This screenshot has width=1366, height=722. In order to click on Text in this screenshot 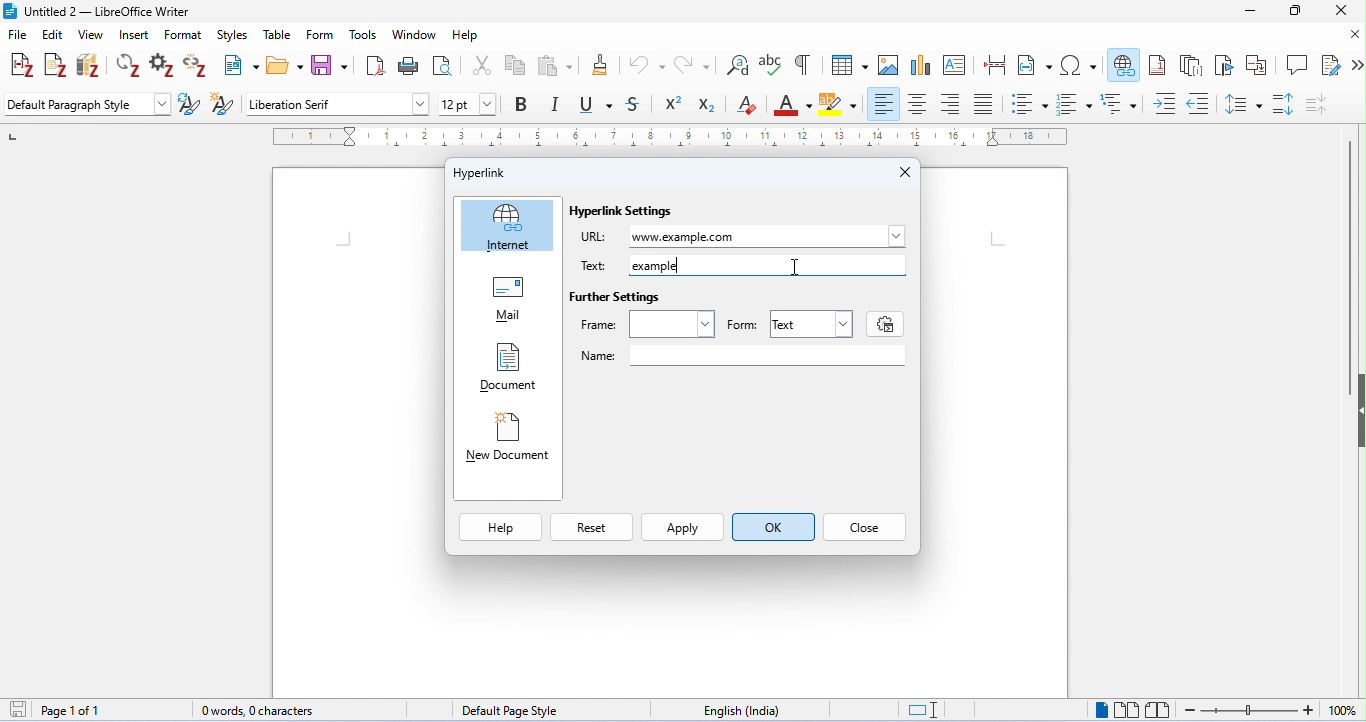, I will do `click(598, 263)`.